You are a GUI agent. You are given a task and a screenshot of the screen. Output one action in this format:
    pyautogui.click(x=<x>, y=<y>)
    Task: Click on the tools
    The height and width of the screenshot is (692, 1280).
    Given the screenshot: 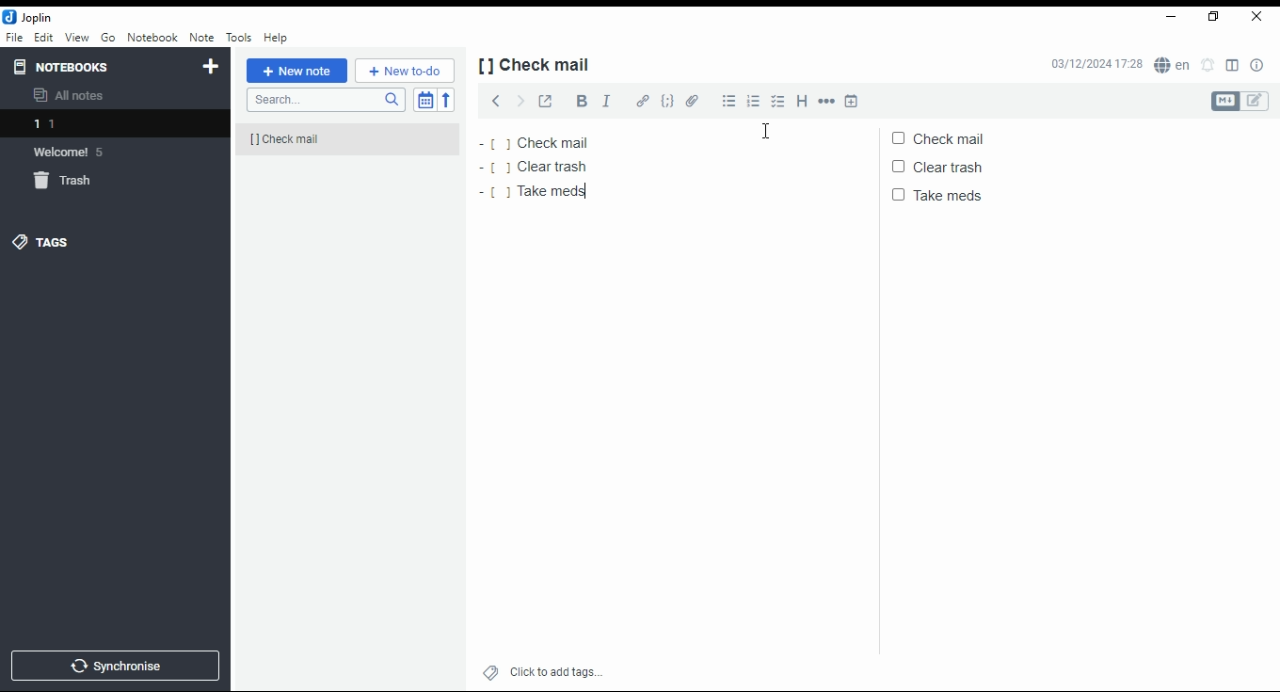 What is the action you would take?
    pyautogui.click(x=240, y=38)
    